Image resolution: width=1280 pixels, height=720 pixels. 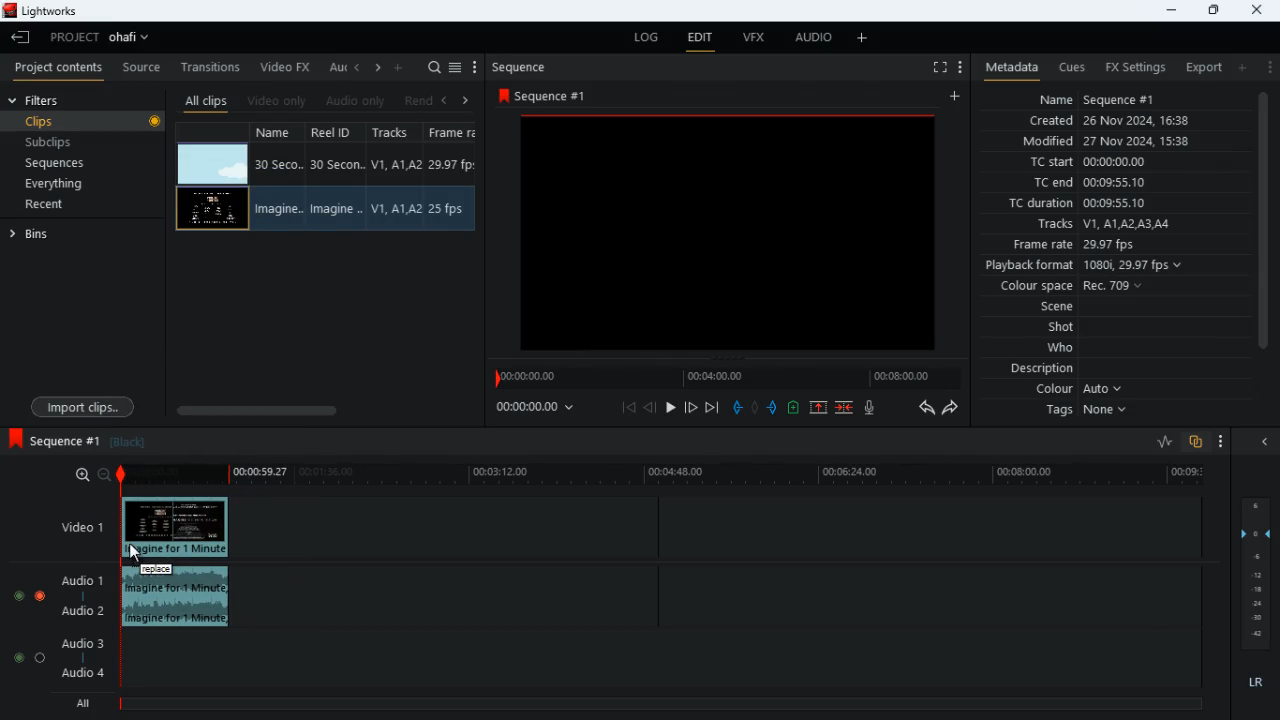 What do you see at coordinates (29, 659) in the screenshot?
I see `audio selection buttons` at bounding box center [29, 659].